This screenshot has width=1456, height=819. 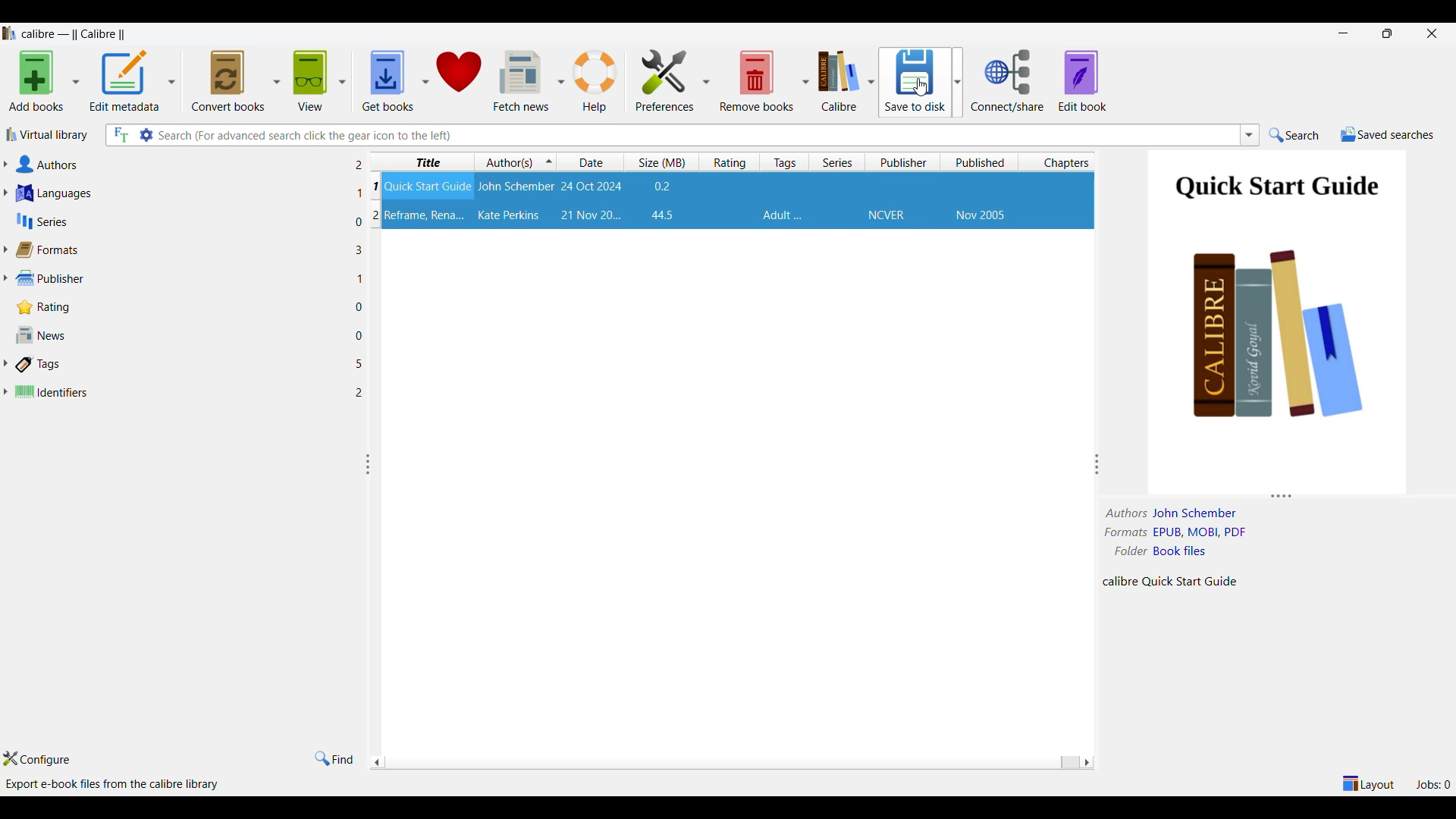 What do you see at coordinates (732, 162) in the screenshot?
I see `Rating column` at bounding box center [732, 162].